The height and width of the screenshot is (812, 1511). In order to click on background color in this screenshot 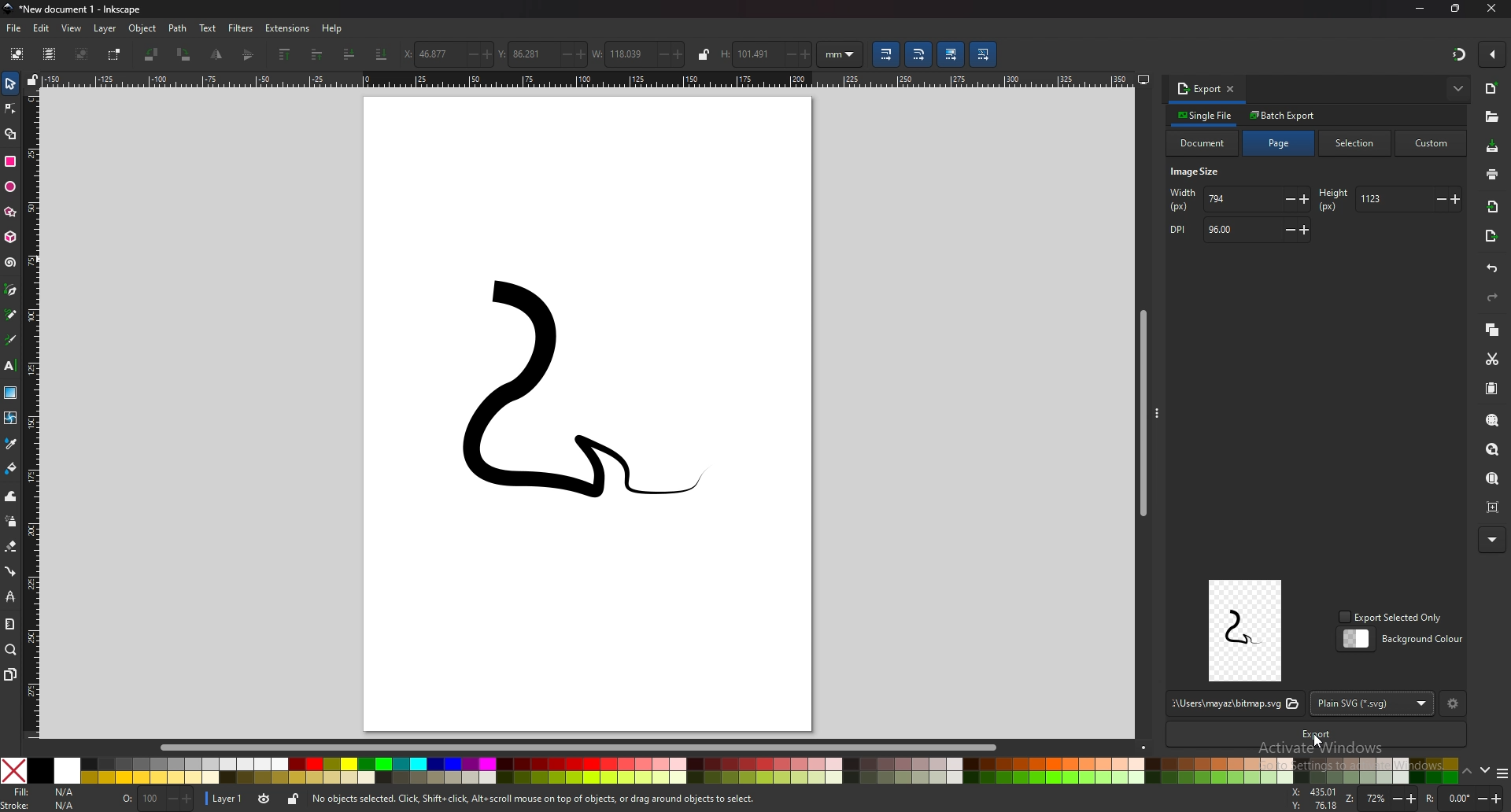, I will do `click(1403, 639)`.